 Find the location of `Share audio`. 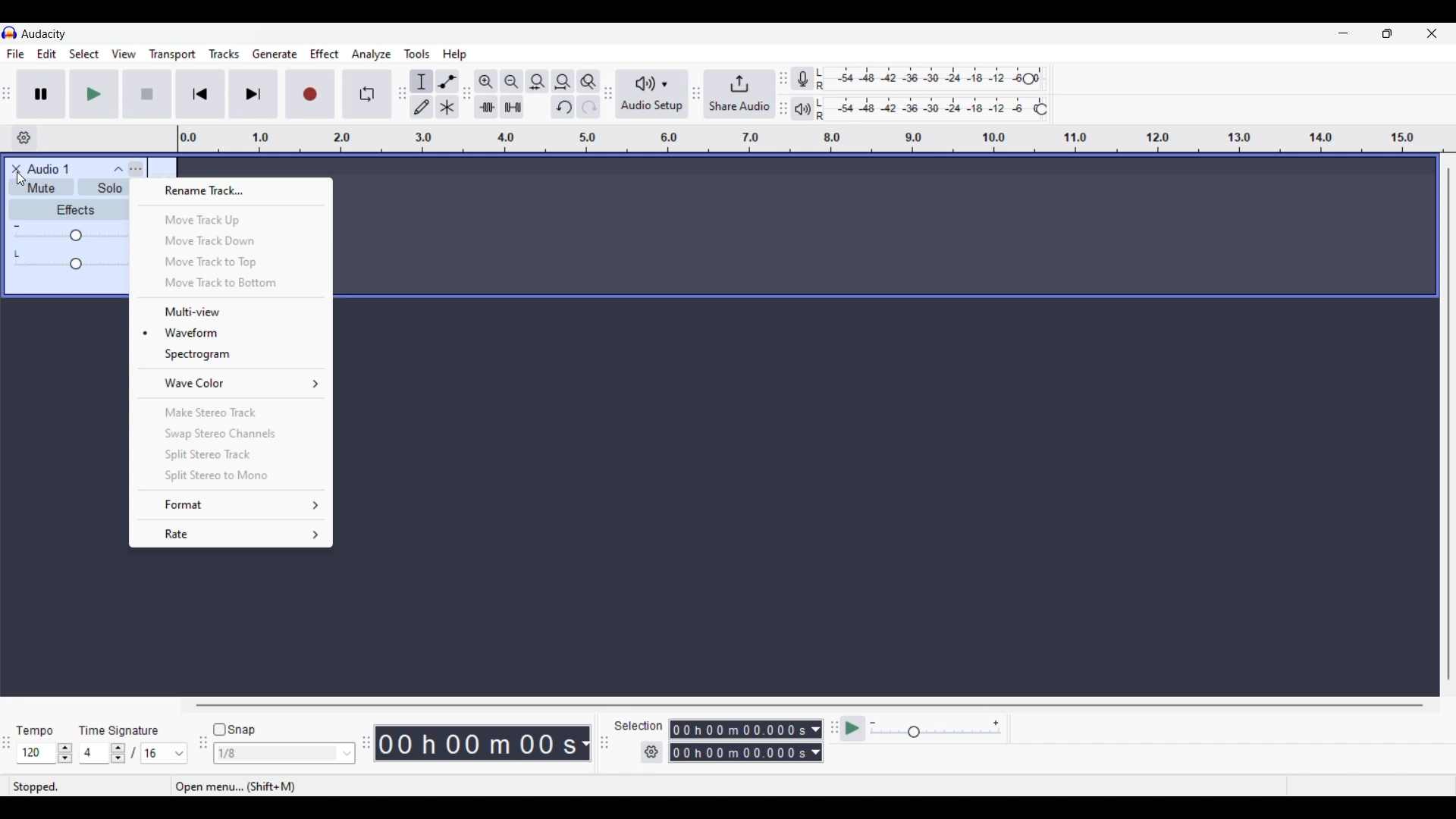

Share audio is located at coordinates (739, 94).